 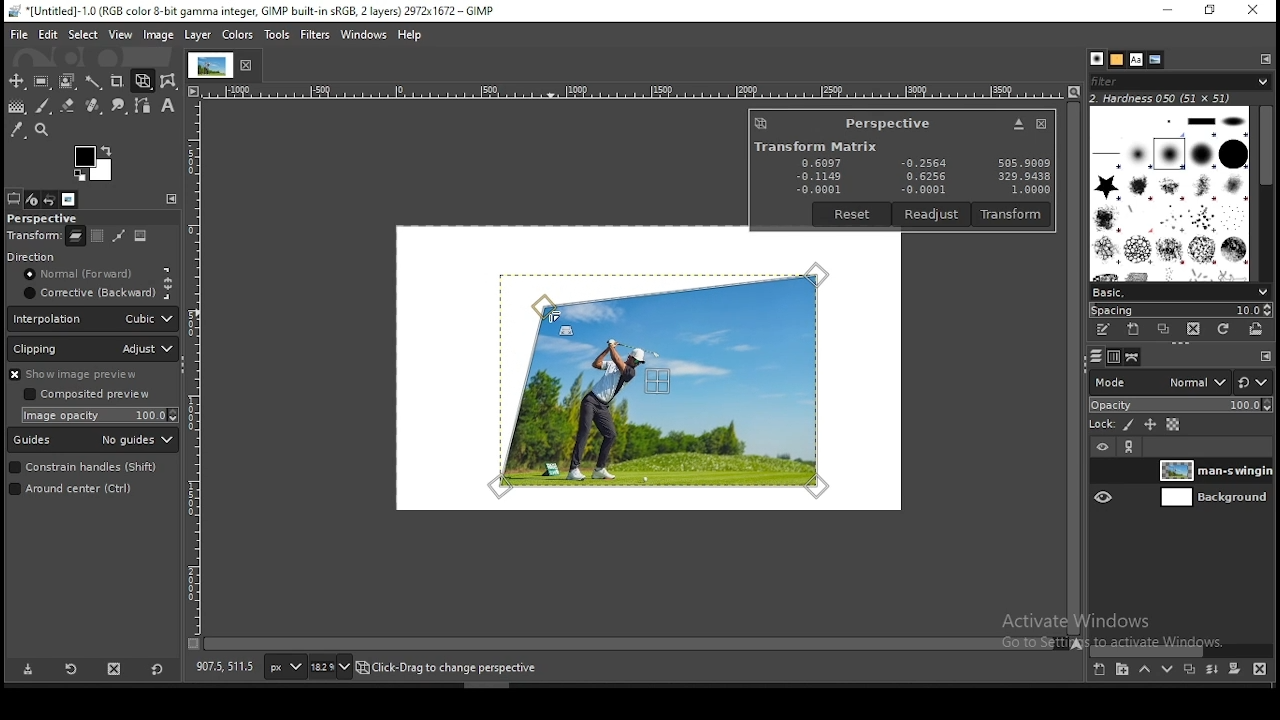 I want to click on image, so click(x=142, y=238).